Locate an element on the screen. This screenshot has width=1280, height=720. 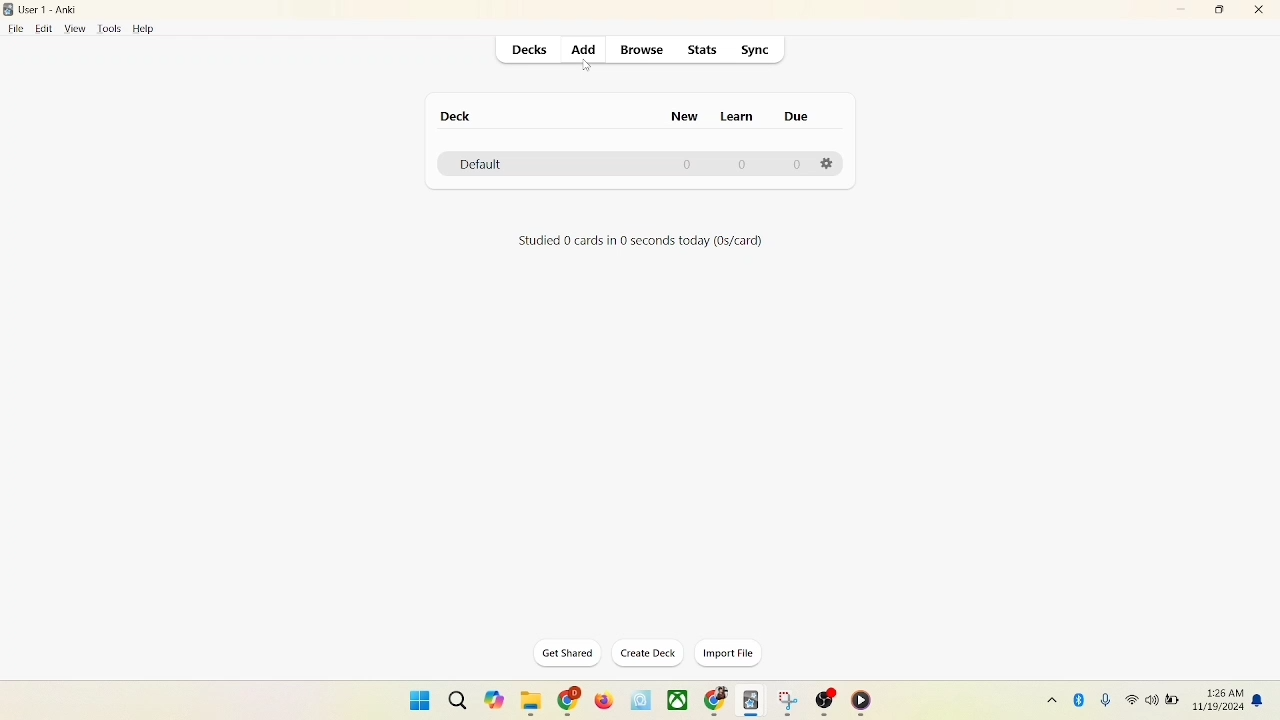
close is located at coordinates (1260, 11).